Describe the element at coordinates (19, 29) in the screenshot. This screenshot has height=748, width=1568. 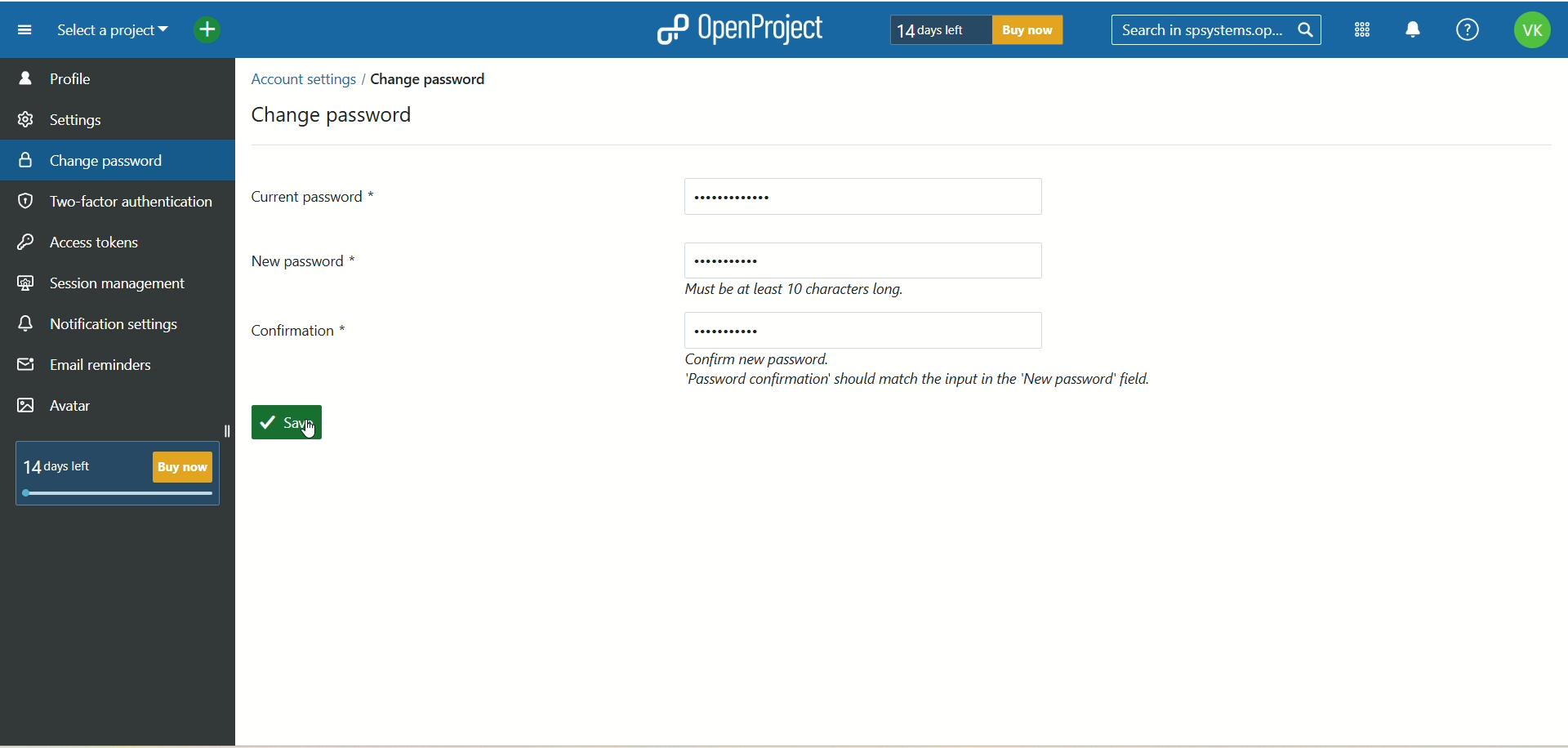
I see `menu` at that location.